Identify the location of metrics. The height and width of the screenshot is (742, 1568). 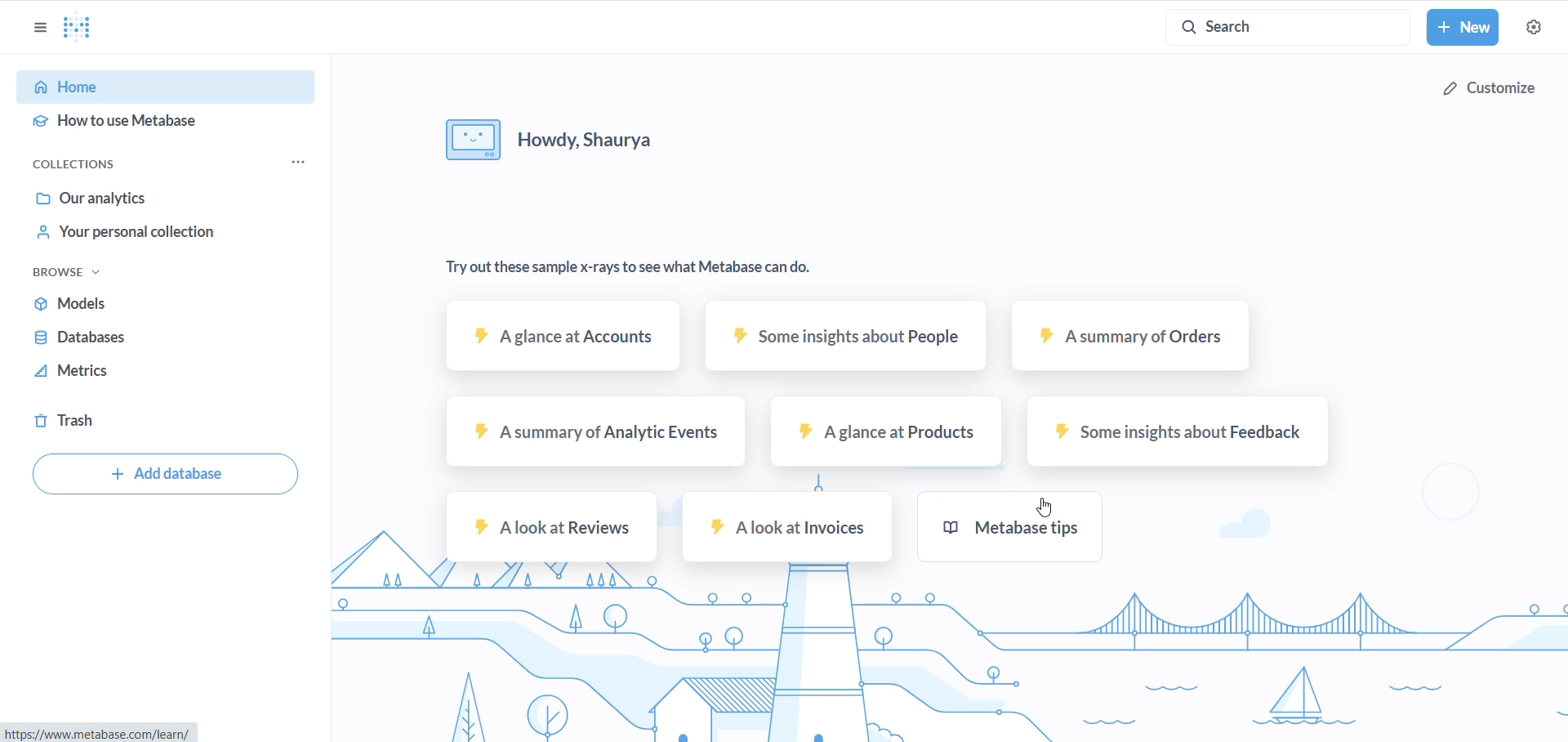
(114, 373).